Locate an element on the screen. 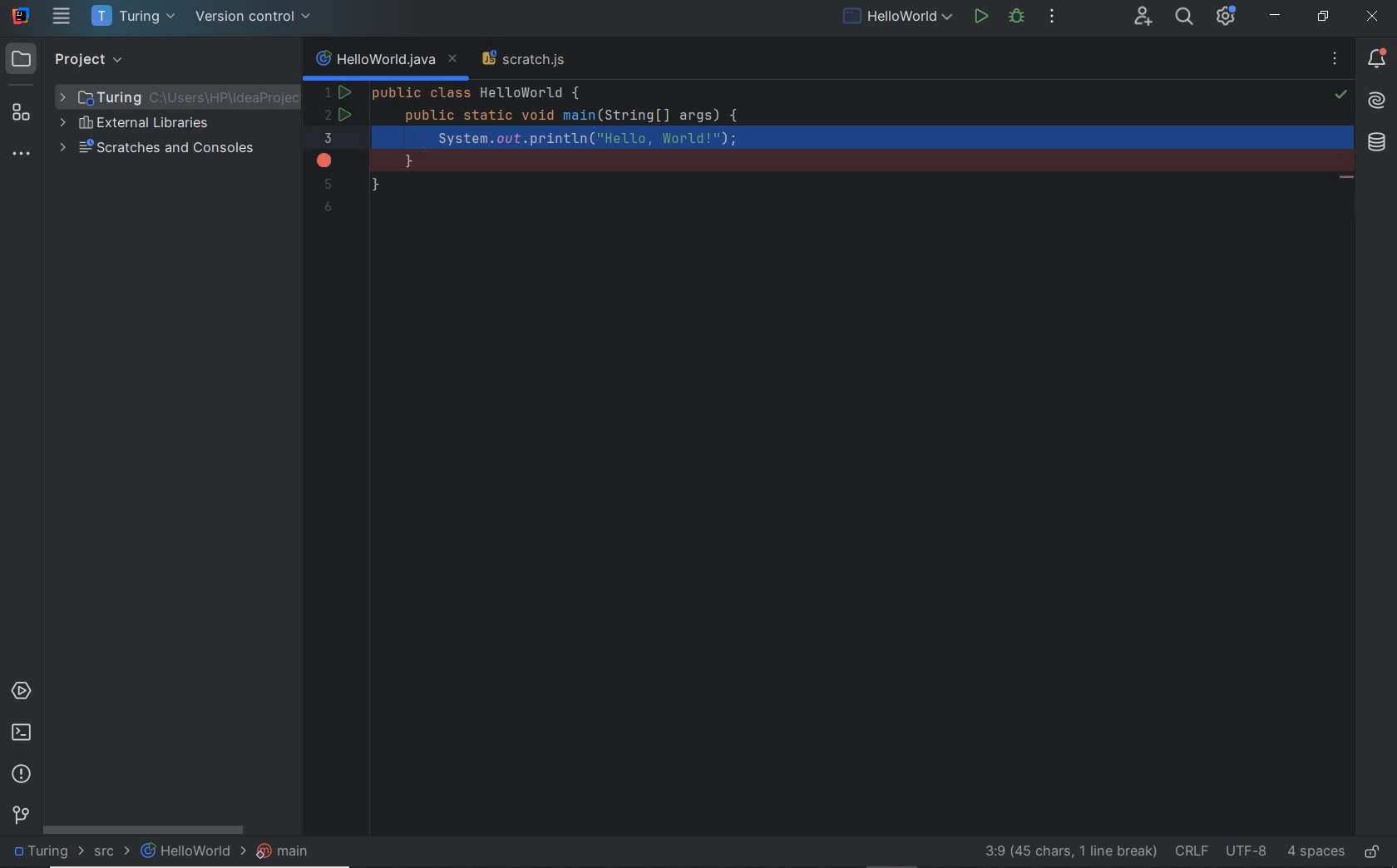  project folder is located at coordinates (167, 96).